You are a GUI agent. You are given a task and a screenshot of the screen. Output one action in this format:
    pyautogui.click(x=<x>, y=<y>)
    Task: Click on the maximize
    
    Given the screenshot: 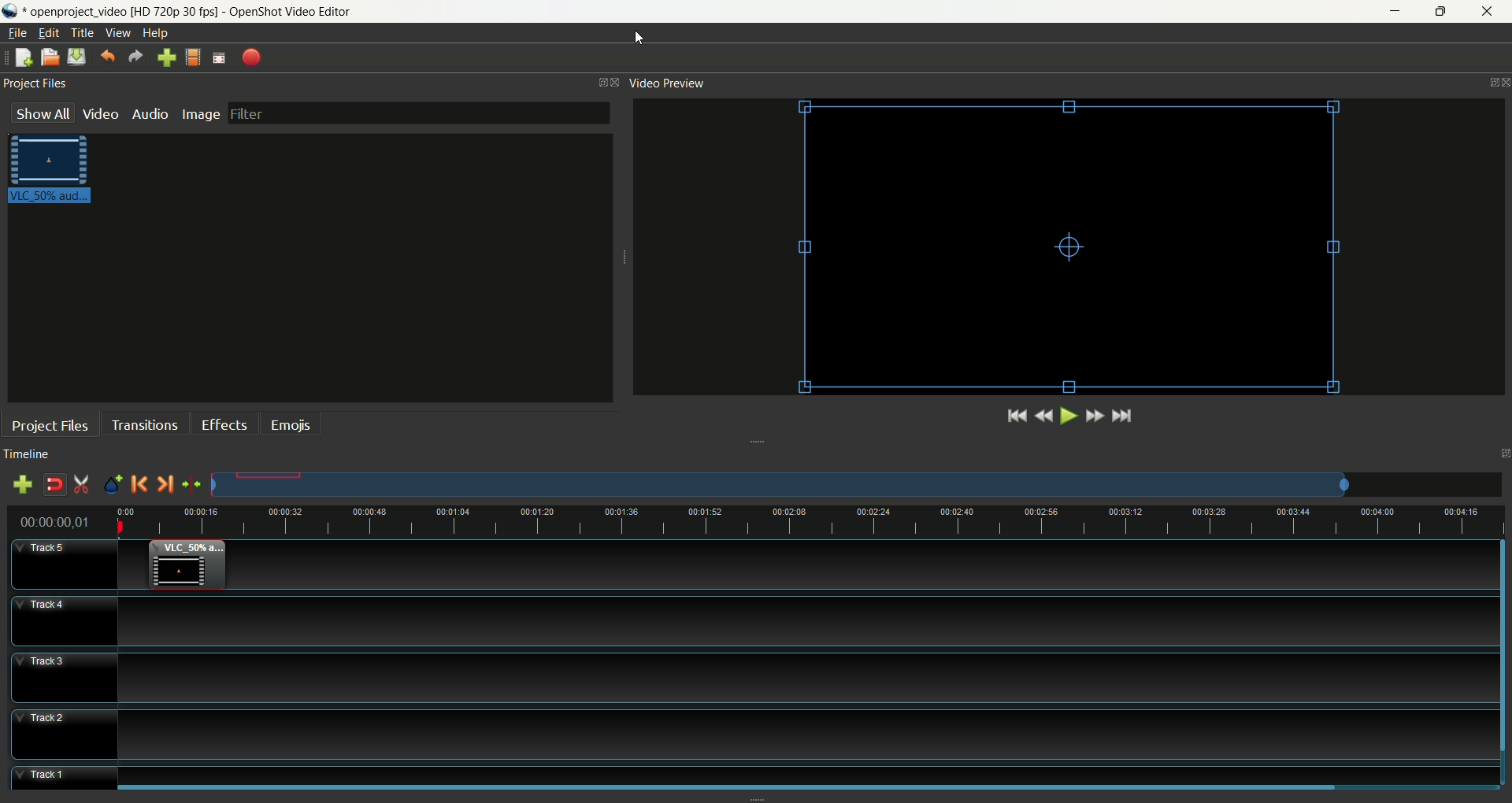 What is the action you would take?
    pyautogui.click(x=1440, y=13)
    